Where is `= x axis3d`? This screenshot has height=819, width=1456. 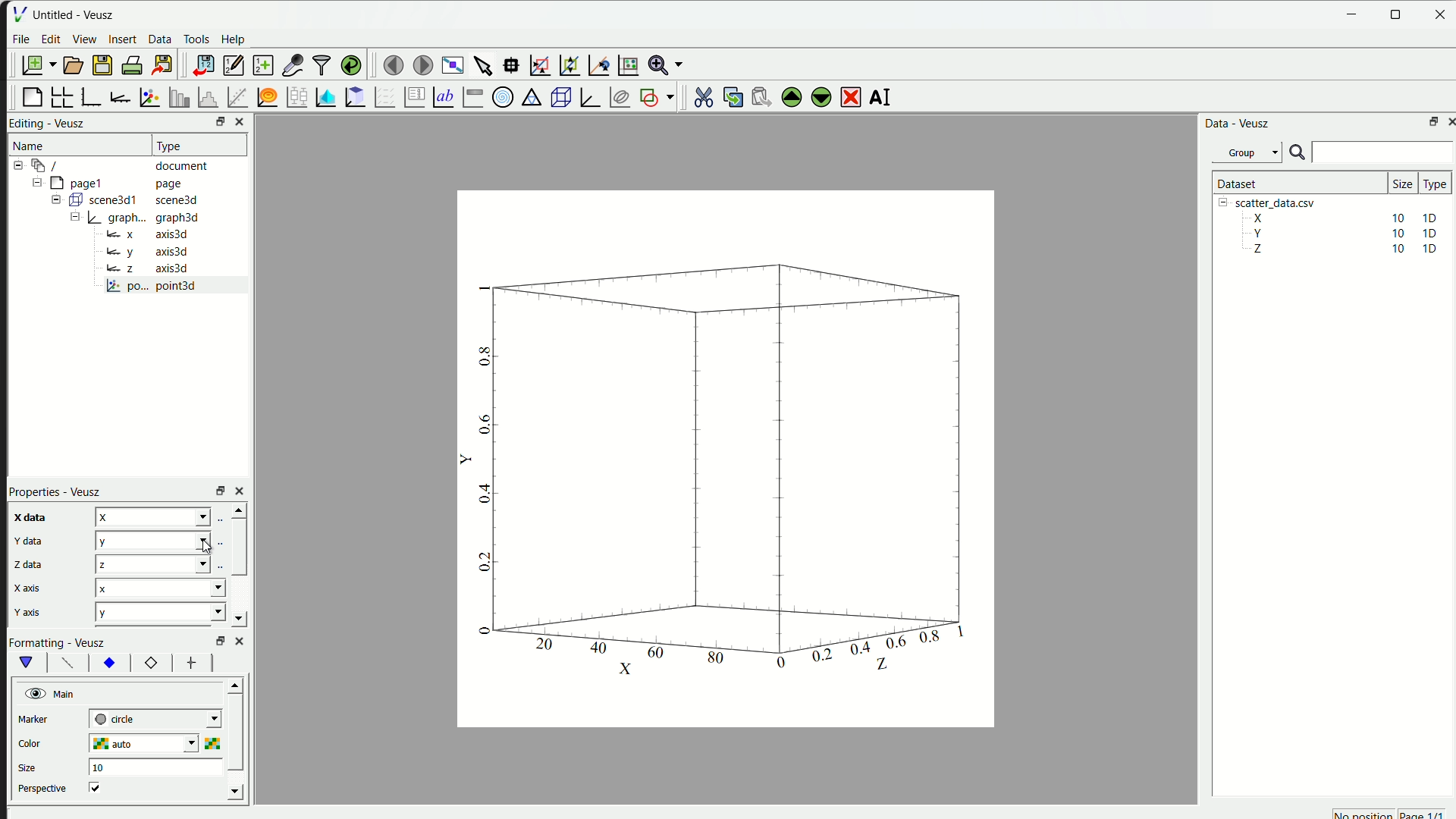 = x axis3d is located at coordinates (155, 234).